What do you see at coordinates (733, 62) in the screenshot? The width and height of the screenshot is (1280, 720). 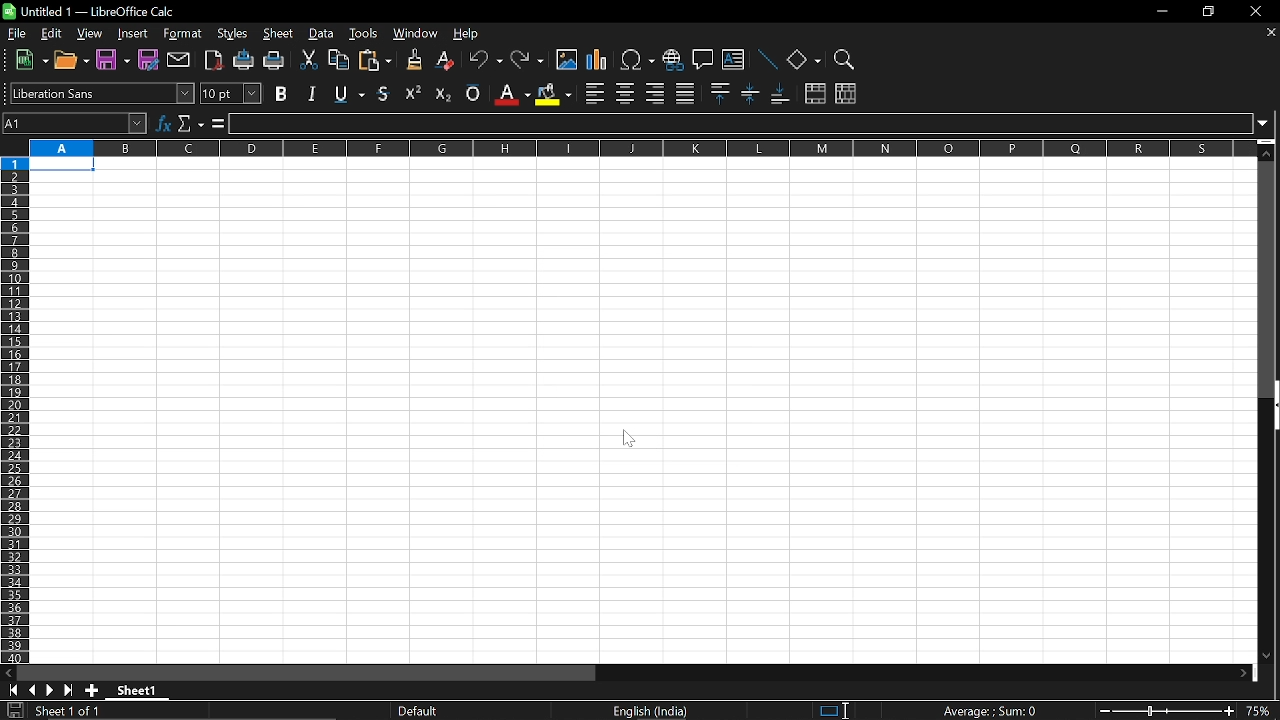 I see `insert text` at bounding box center [733, 62].